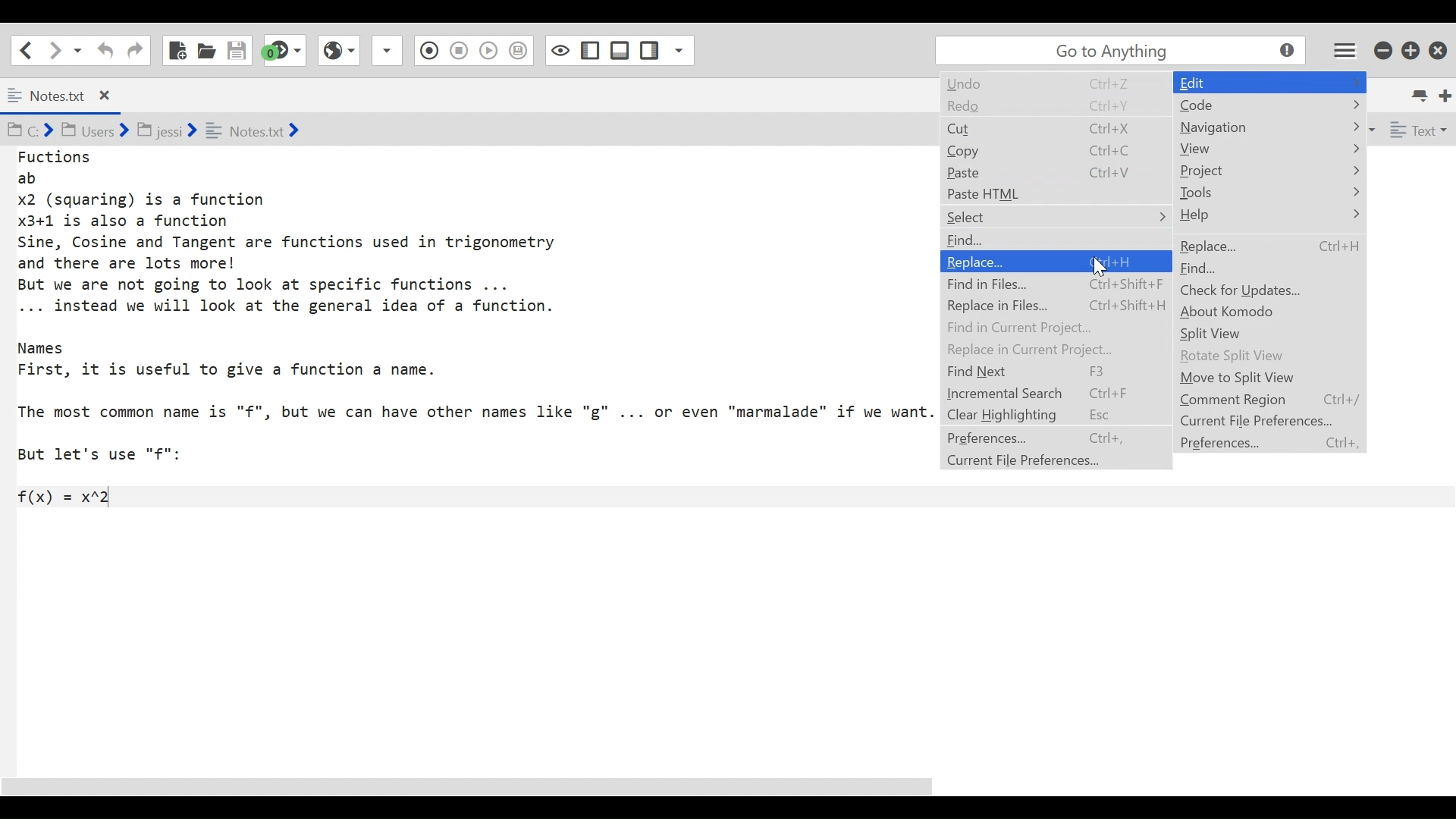 The width and height of the screenshot is (1456, 819). What do you see at coordinates (1040, 395) in the screenshot?
I see `Incremental Search` at bounding box center [1040, 395].